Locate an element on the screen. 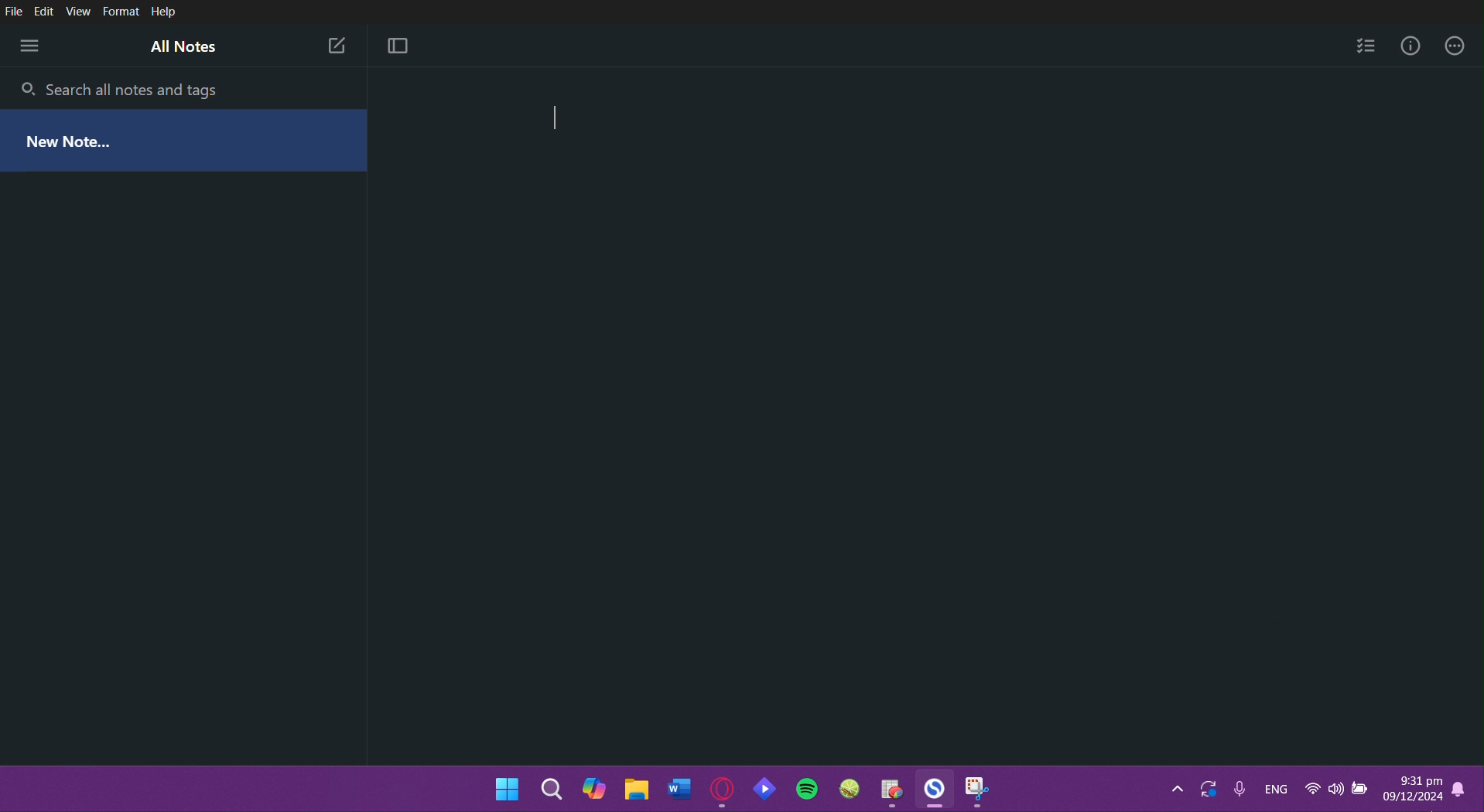  View is located at coordinates (80, 12).